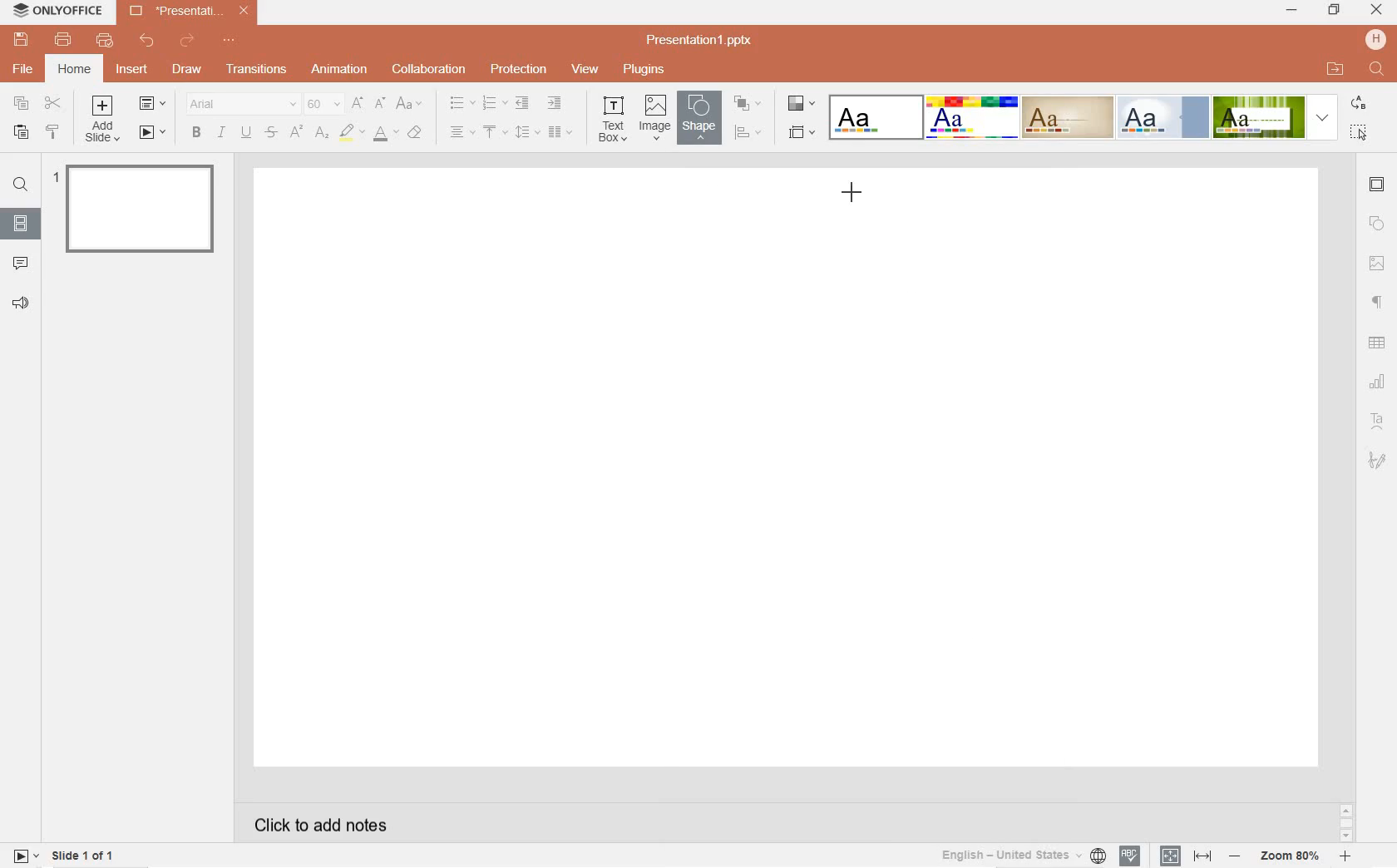 The height and width of the screenshot is (868, 1397). Describe the element at coordinates (296, 133) in the screenshot. I see `superscript` at that location.